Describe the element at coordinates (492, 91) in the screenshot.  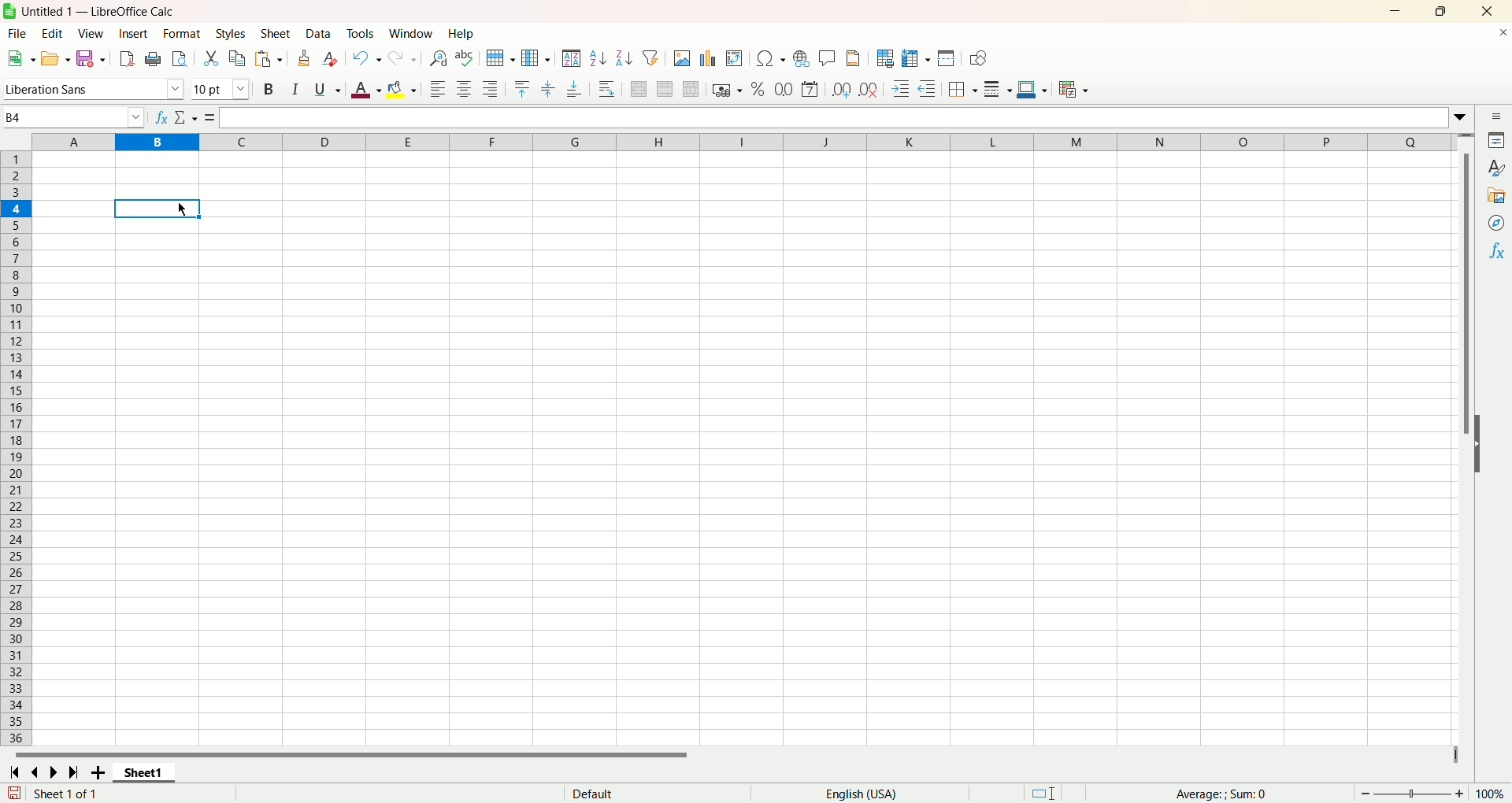
I see `align right` at that location.